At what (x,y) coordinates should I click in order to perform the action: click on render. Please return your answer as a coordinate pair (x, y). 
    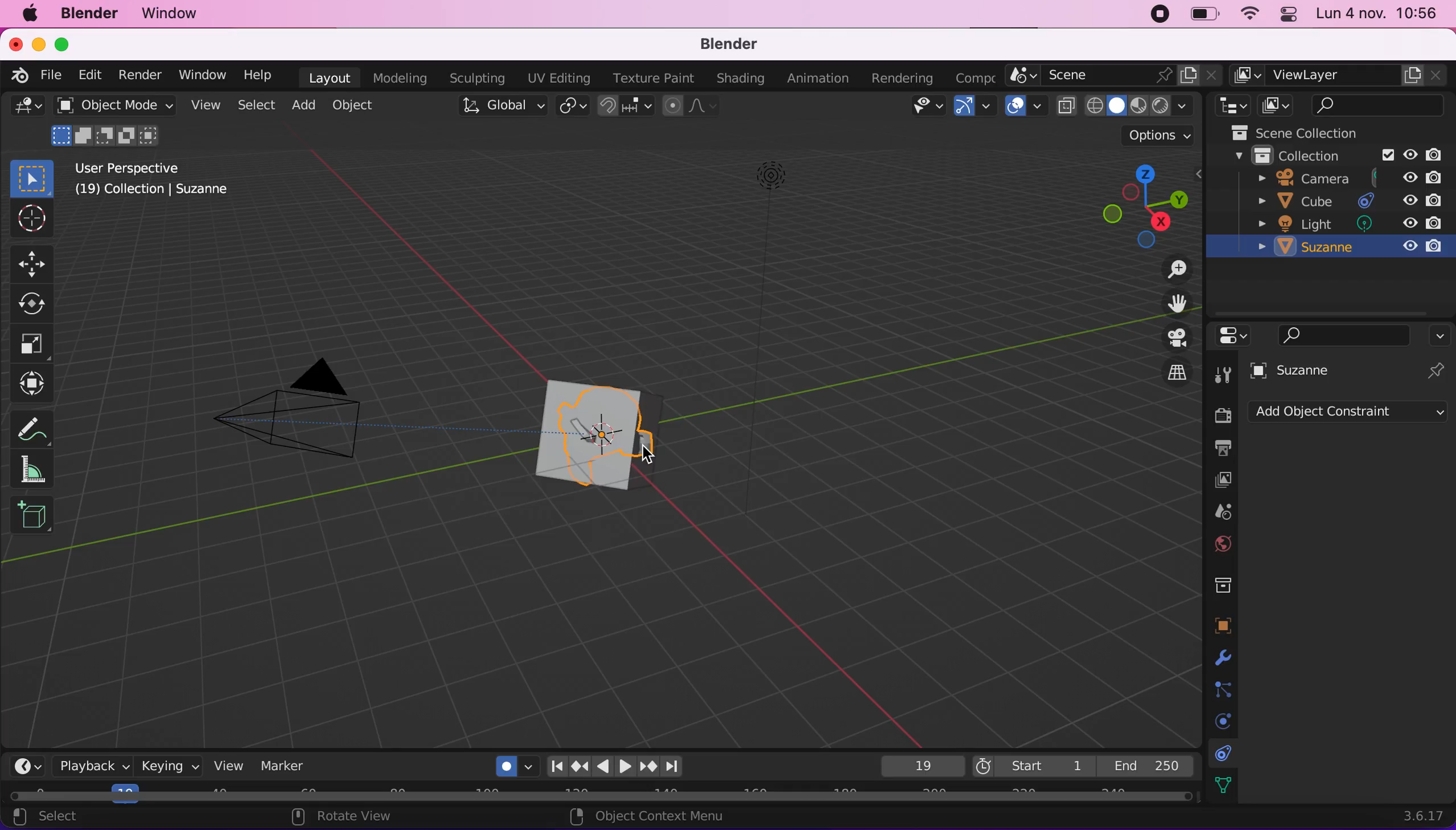
    Looking at the image, I should click on (141, 76).